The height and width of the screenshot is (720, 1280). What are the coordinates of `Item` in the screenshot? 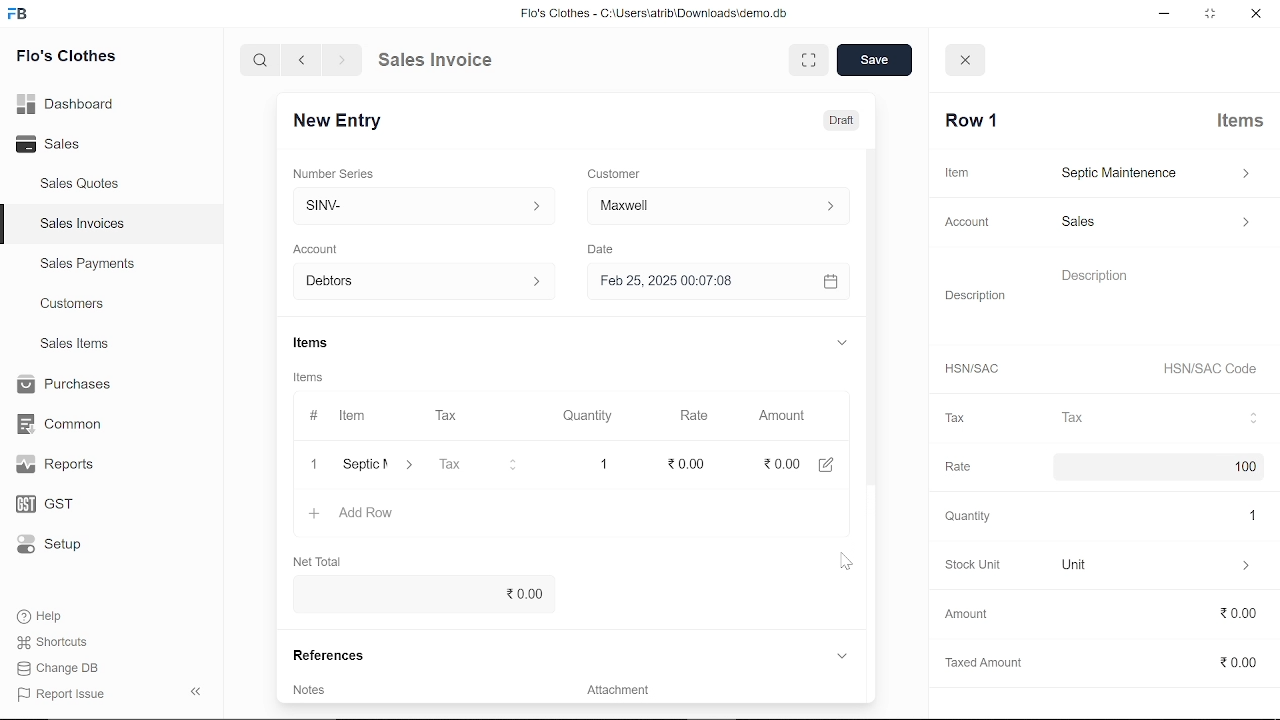 It's located at (956, 172).